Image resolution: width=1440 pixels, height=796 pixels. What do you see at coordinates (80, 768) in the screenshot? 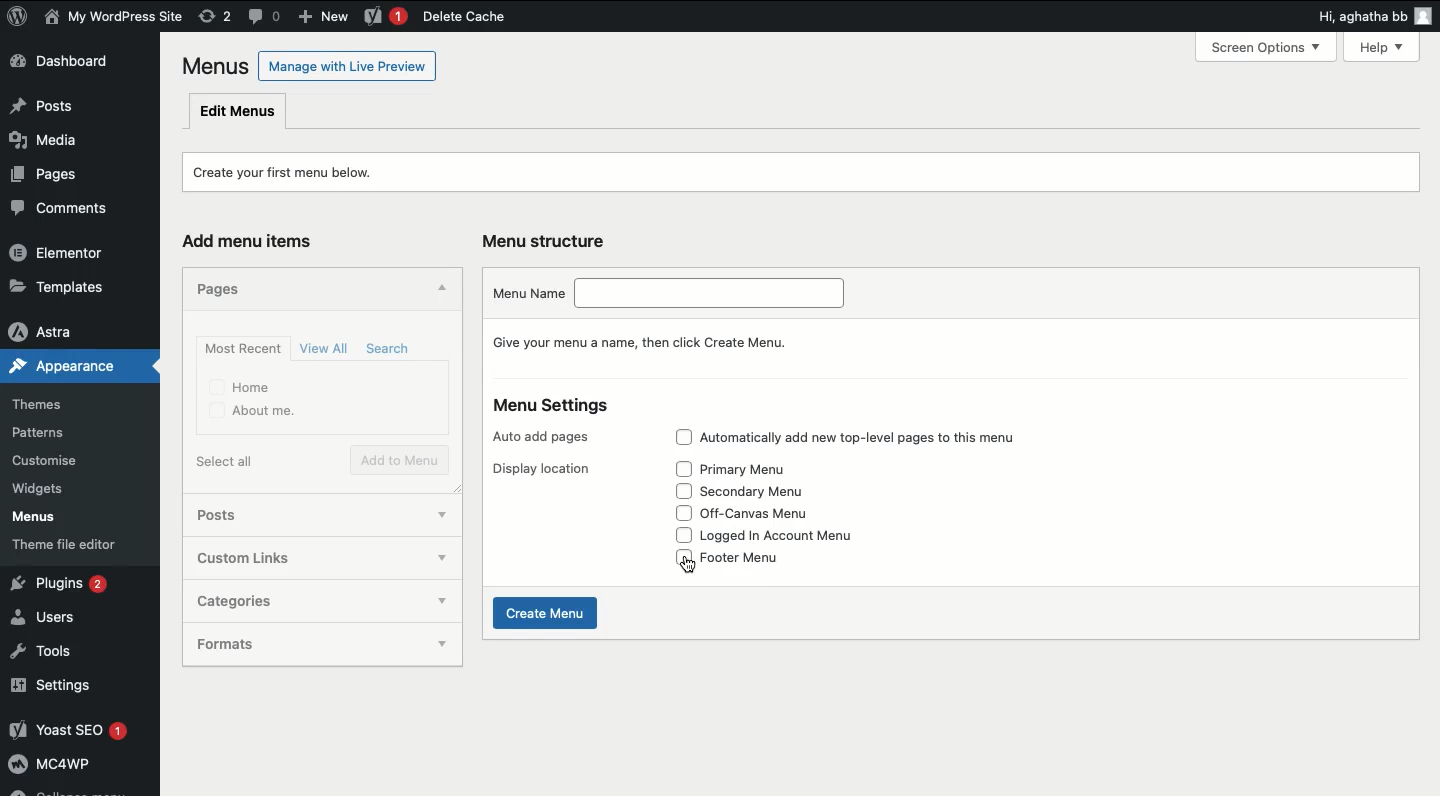
I see `Mcawp` at bounding box center [80, 768].